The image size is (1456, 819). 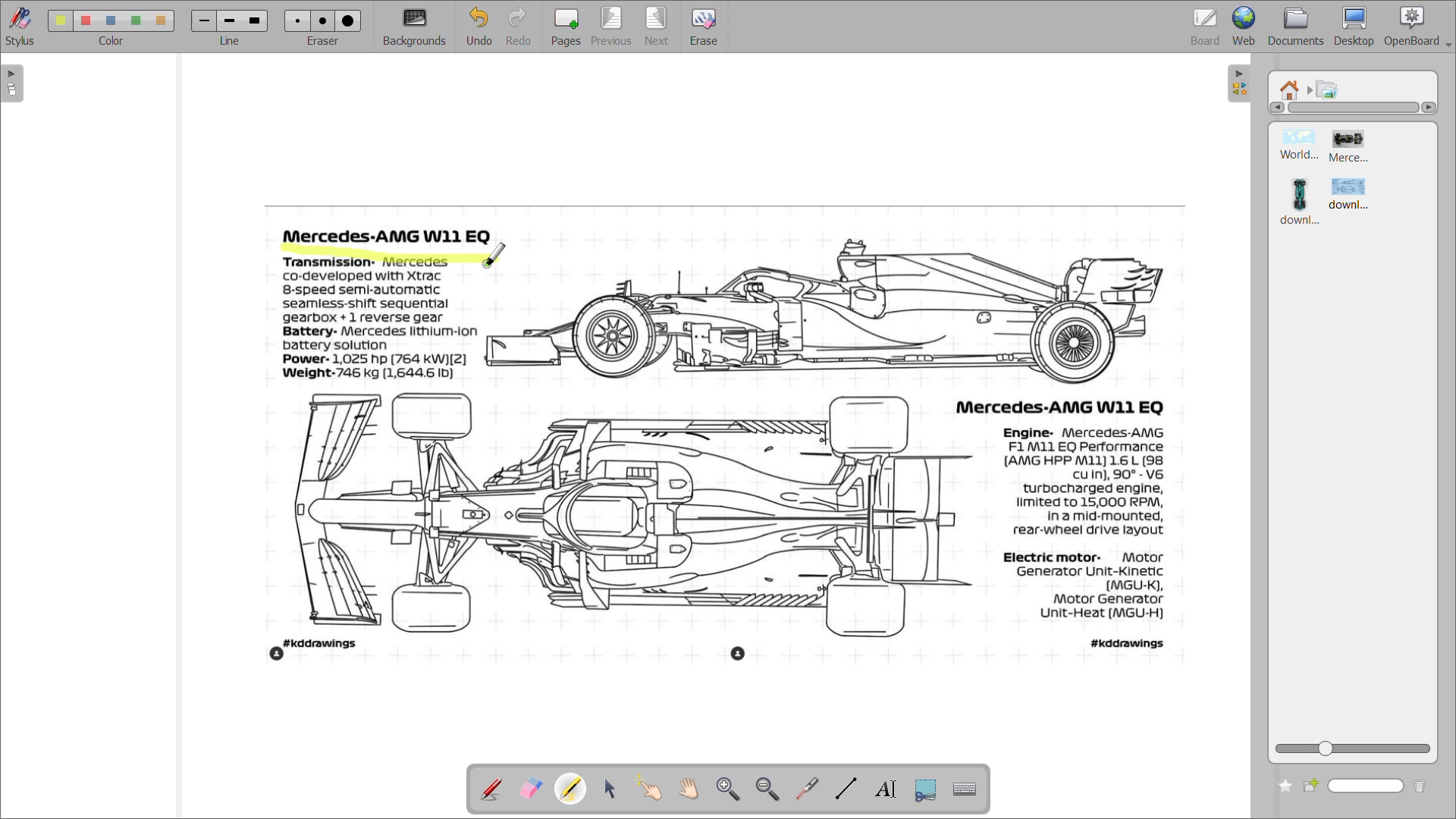 I want to click on desktop, so click(x=1358, y=27).